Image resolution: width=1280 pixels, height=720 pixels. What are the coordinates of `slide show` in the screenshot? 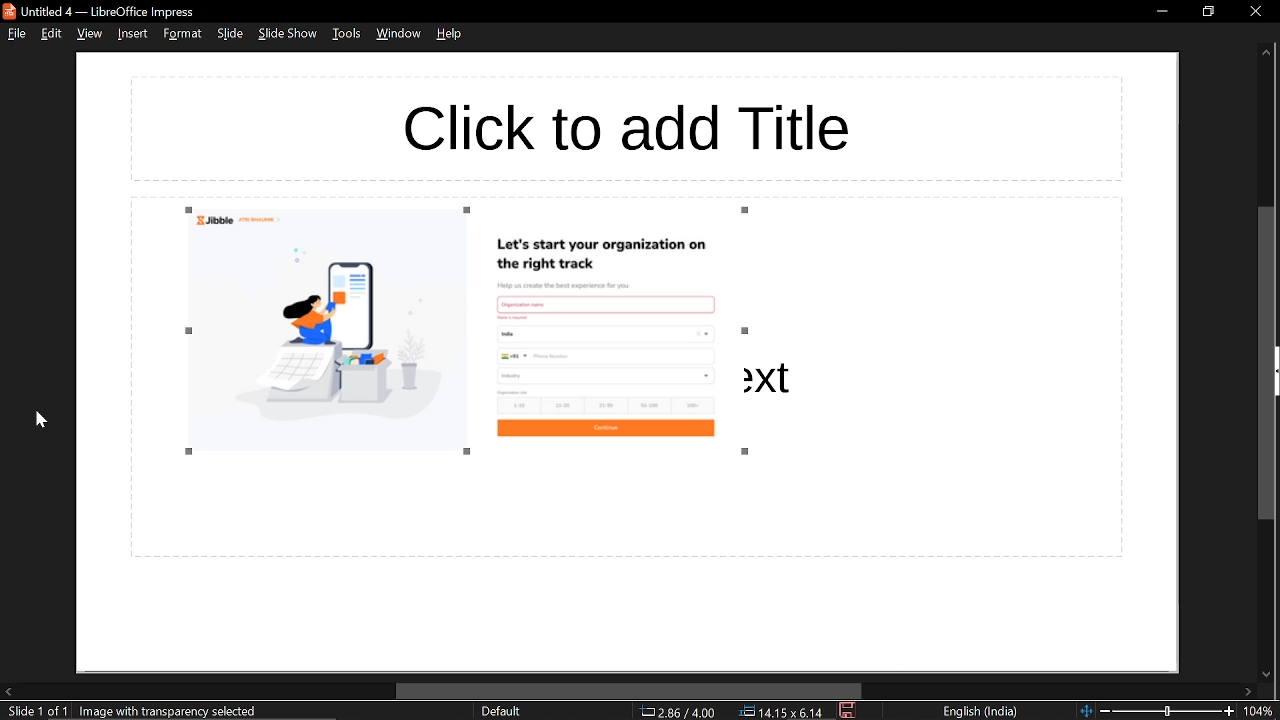 It's located at (288, 34).